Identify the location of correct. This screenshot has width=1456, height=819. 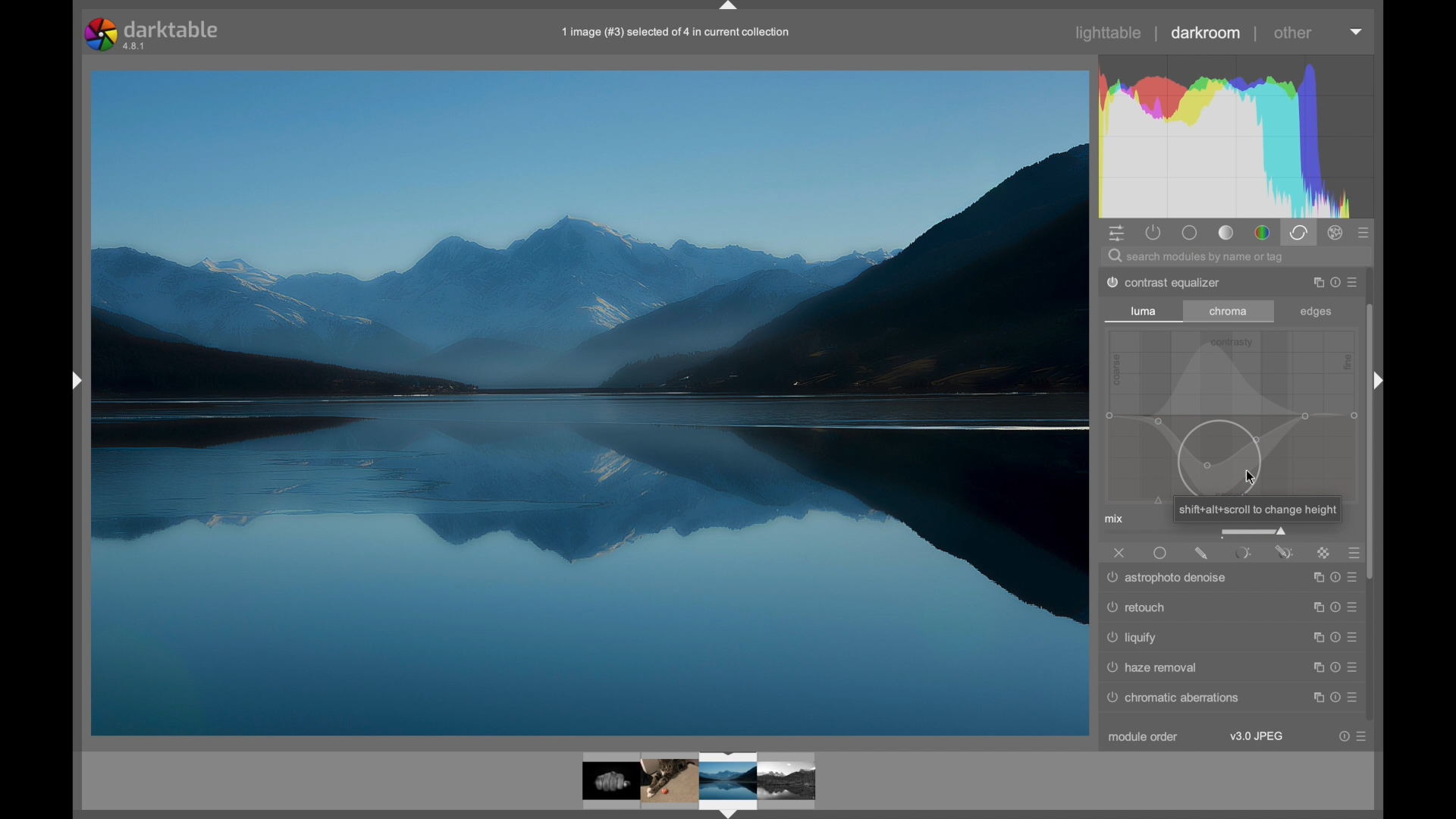
(1298, 232).